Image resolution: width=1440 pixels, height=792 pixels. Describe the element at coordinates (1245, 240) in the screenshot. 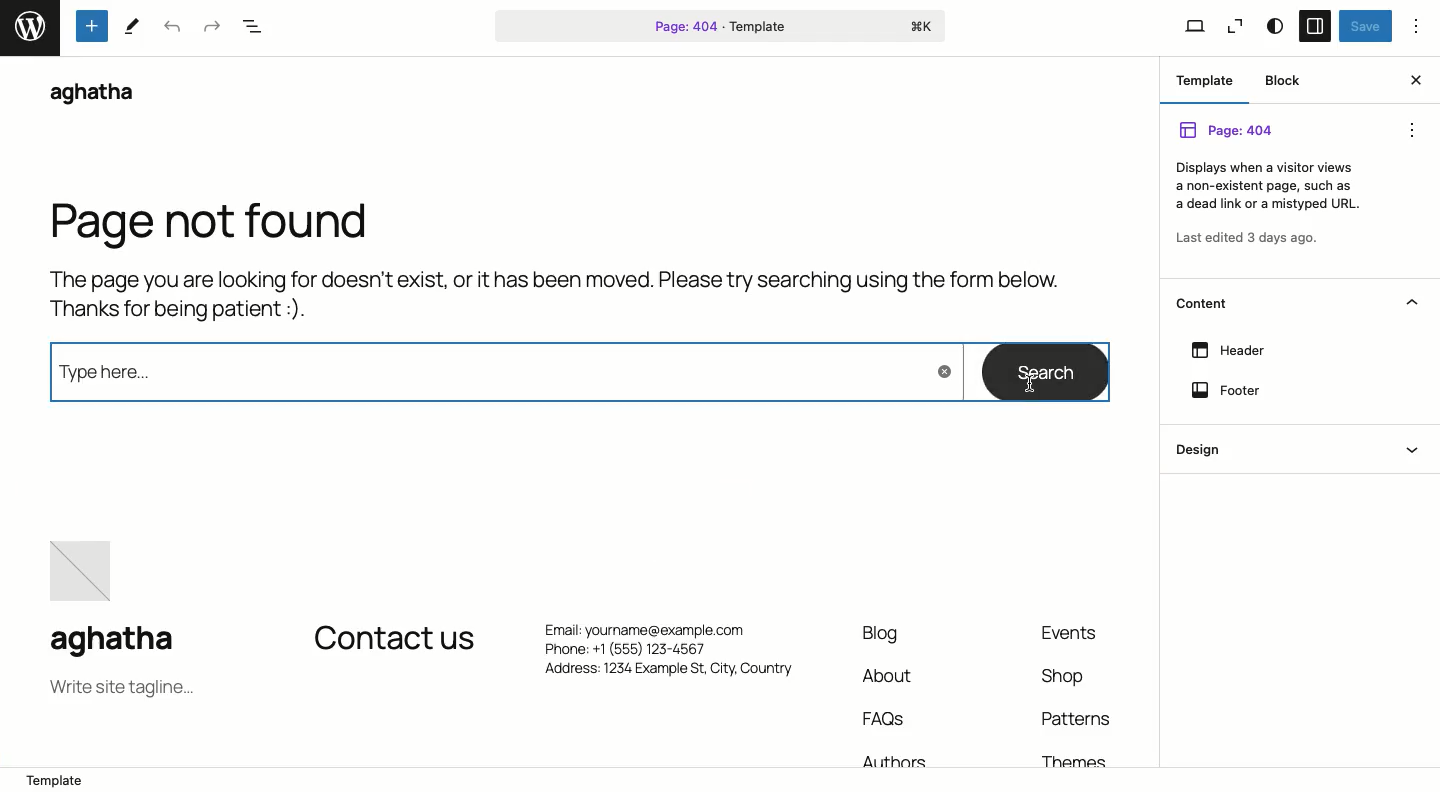

I see `Last edited` at that location.